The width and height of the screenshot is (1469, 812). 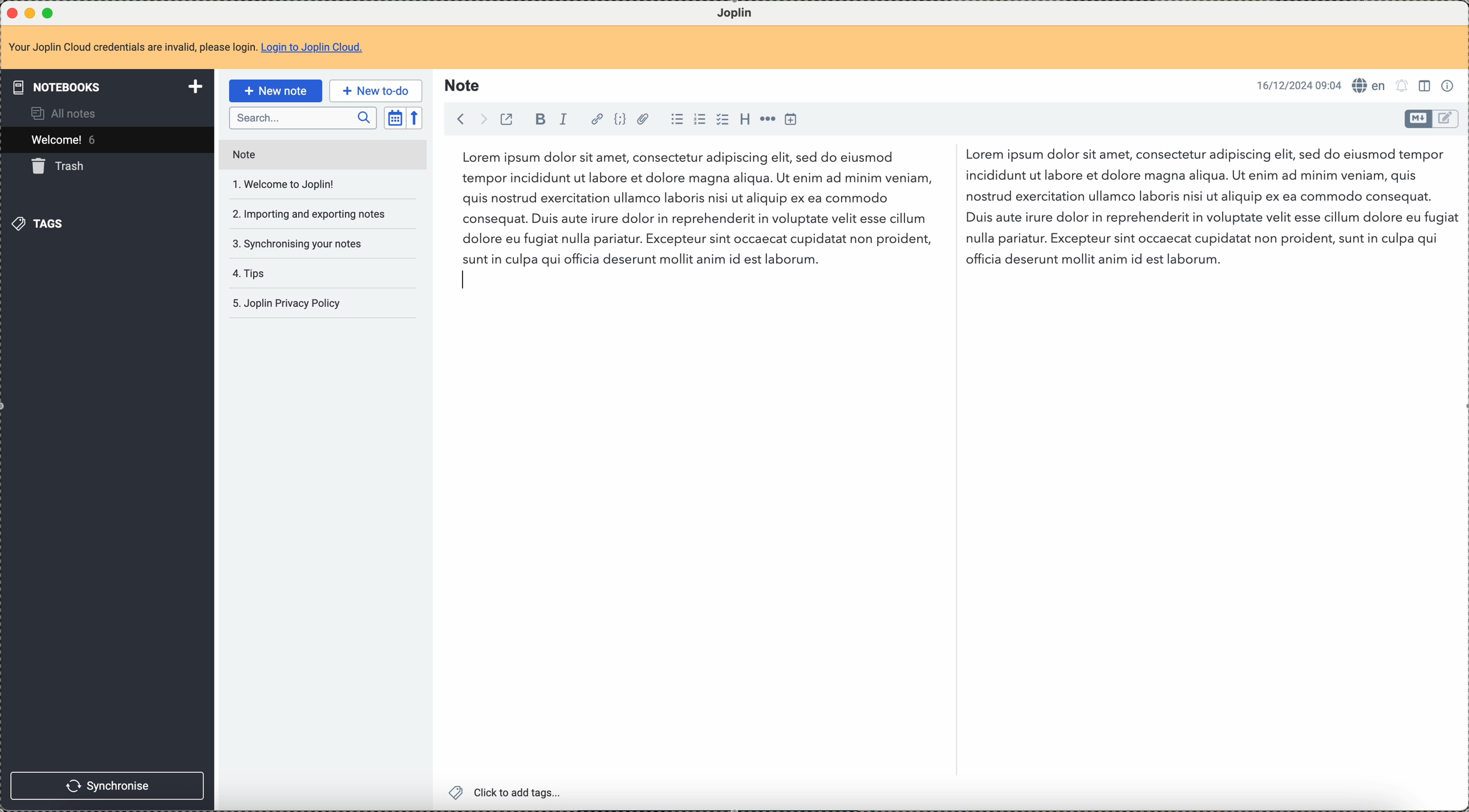 I want to click on new note, so click(x=274, y=91).